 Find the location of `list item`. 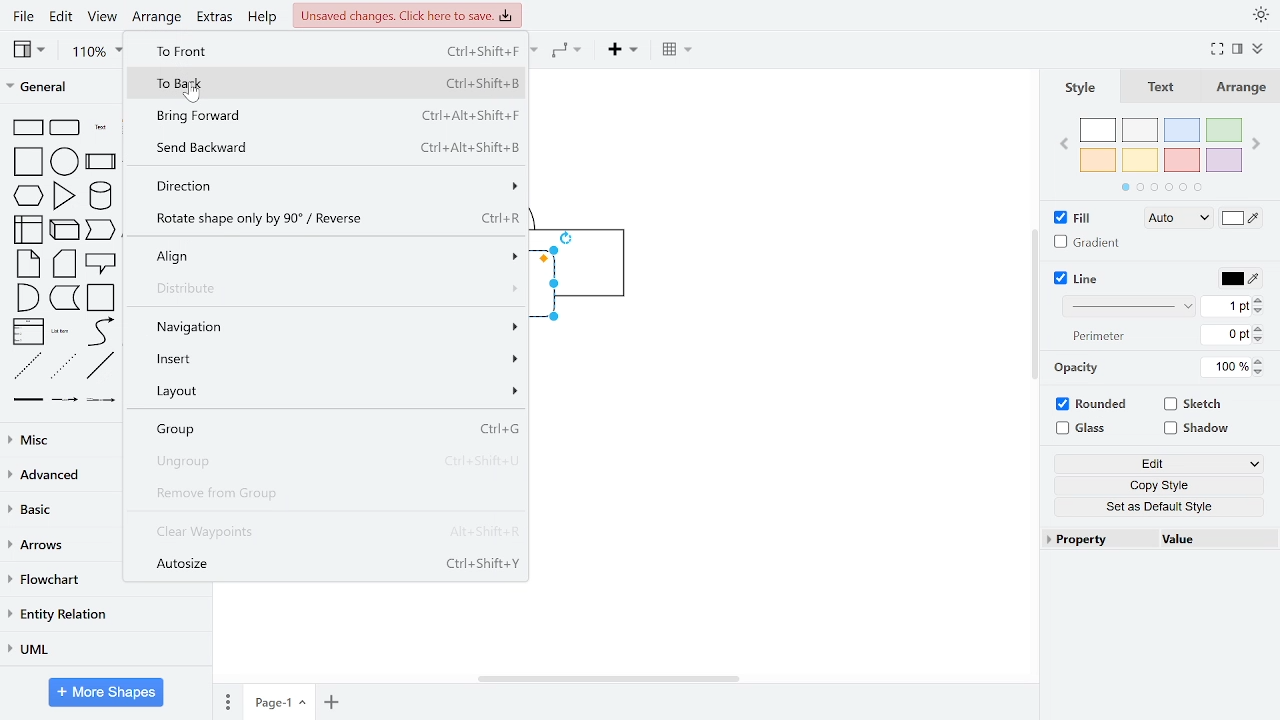

list item is located at coordinates (60, 332).